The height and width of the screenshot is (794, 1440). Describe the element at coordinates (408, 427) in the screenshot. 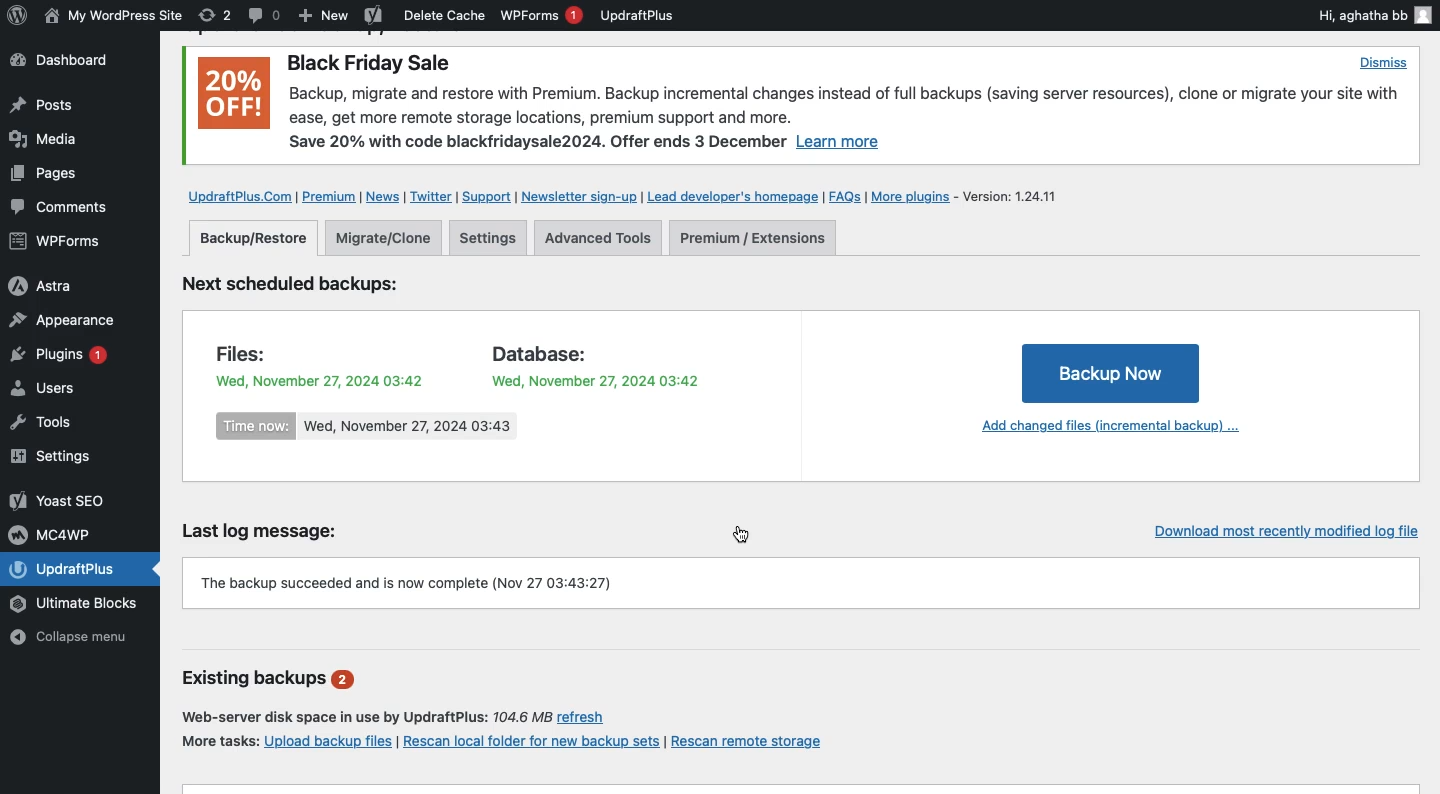

I see `Wed, November 27, 2024 03:43` at that location.